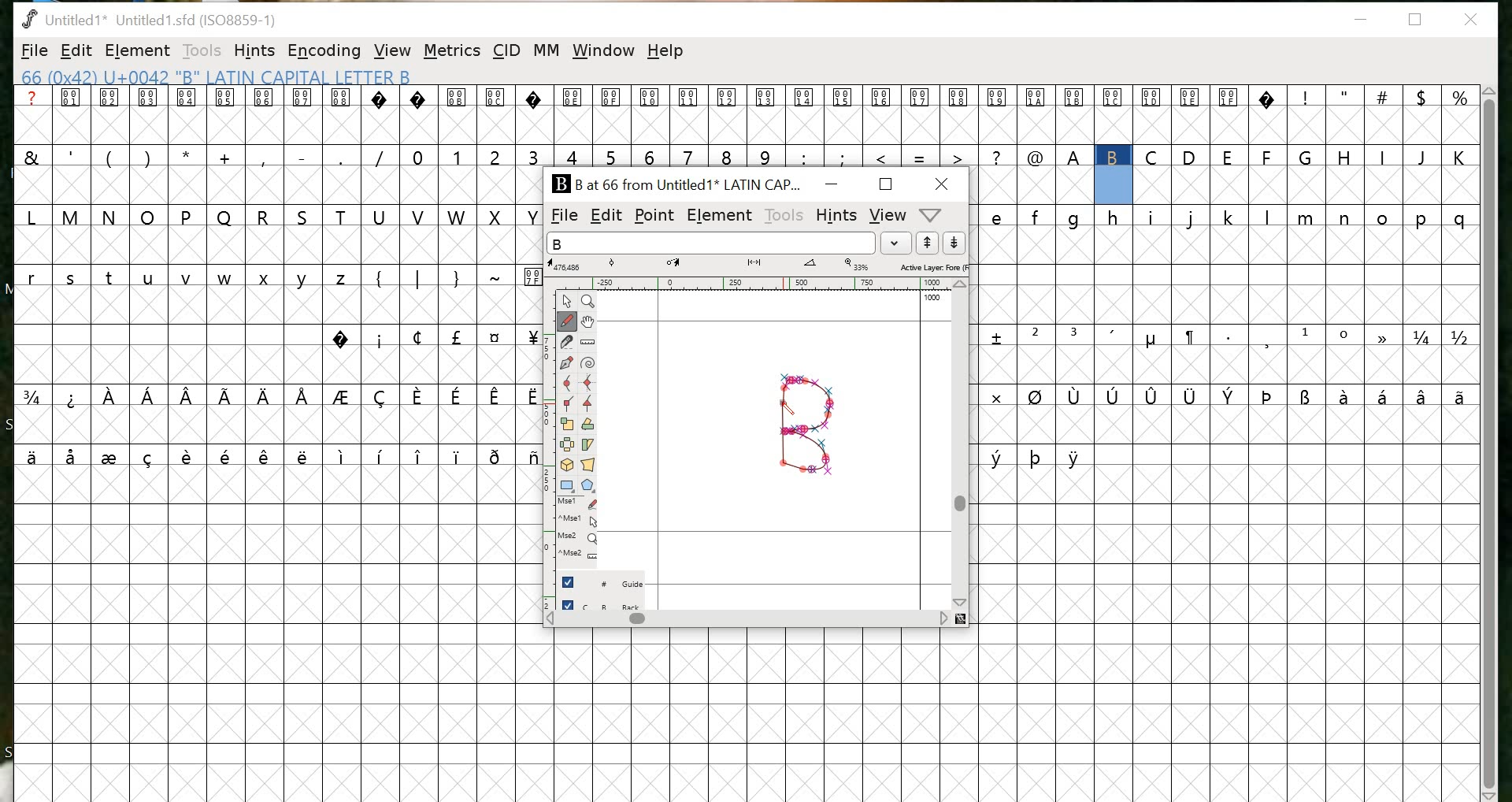  I want to click on 3D rotate, so click(568, 467).